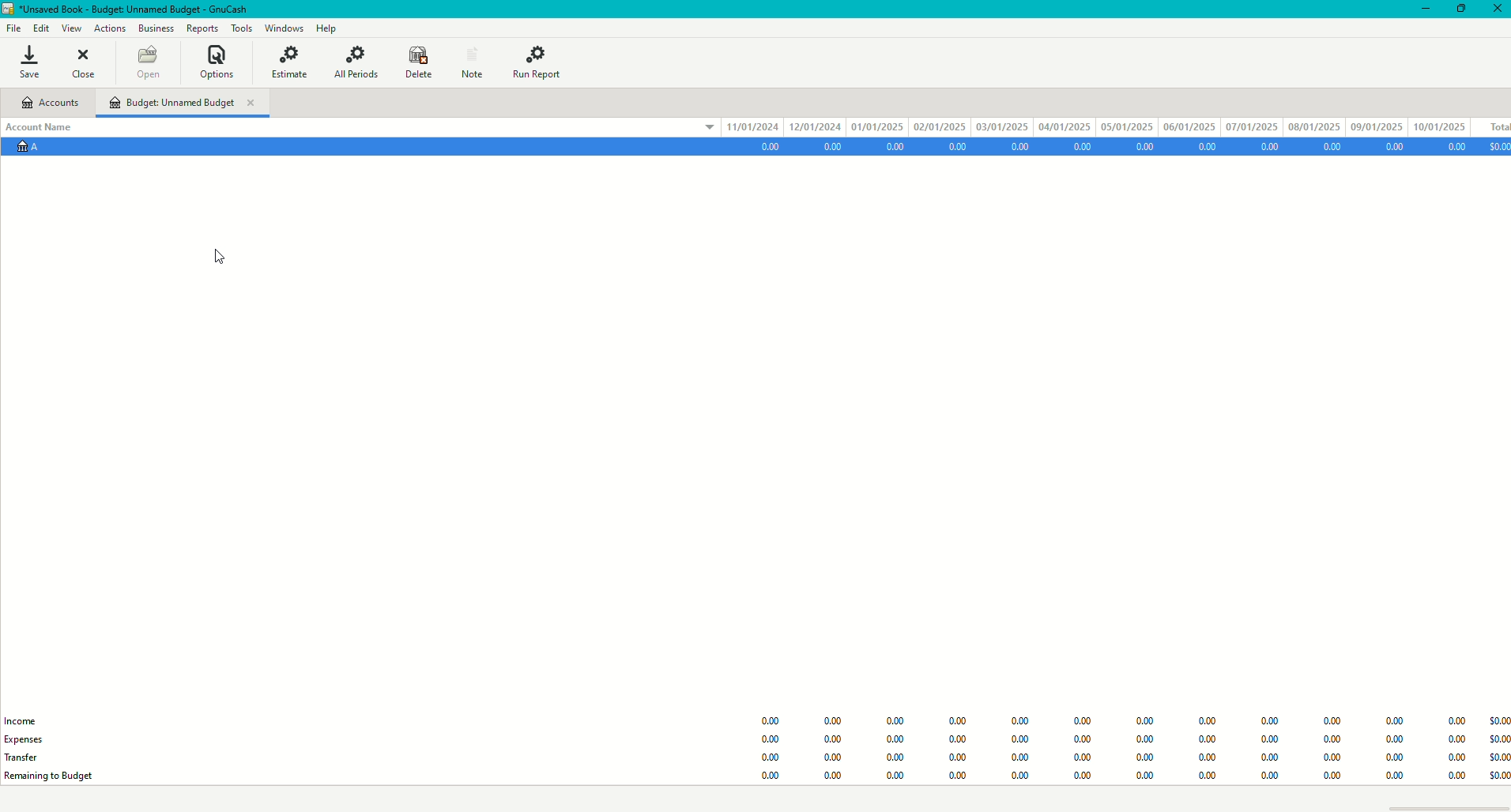 The width and height of the screenshot is (1511, 812). What do you see at coordinates (32, 152) in the screenshot?
I see `Account A` at bounding box center [32, 152].